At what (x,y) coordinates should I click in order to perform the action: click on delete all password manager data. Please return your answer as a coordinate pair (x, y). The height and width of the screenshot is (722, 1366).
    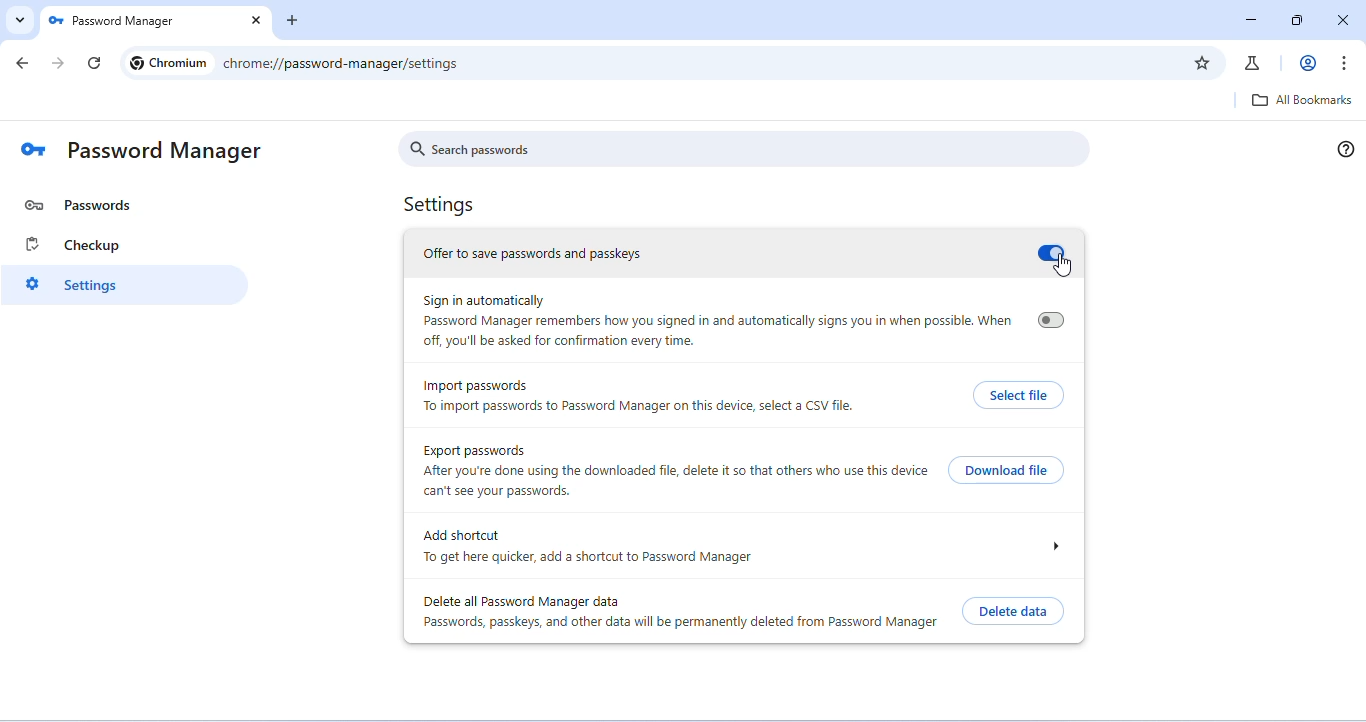
    Looking at the image, I should click on (522, 601).